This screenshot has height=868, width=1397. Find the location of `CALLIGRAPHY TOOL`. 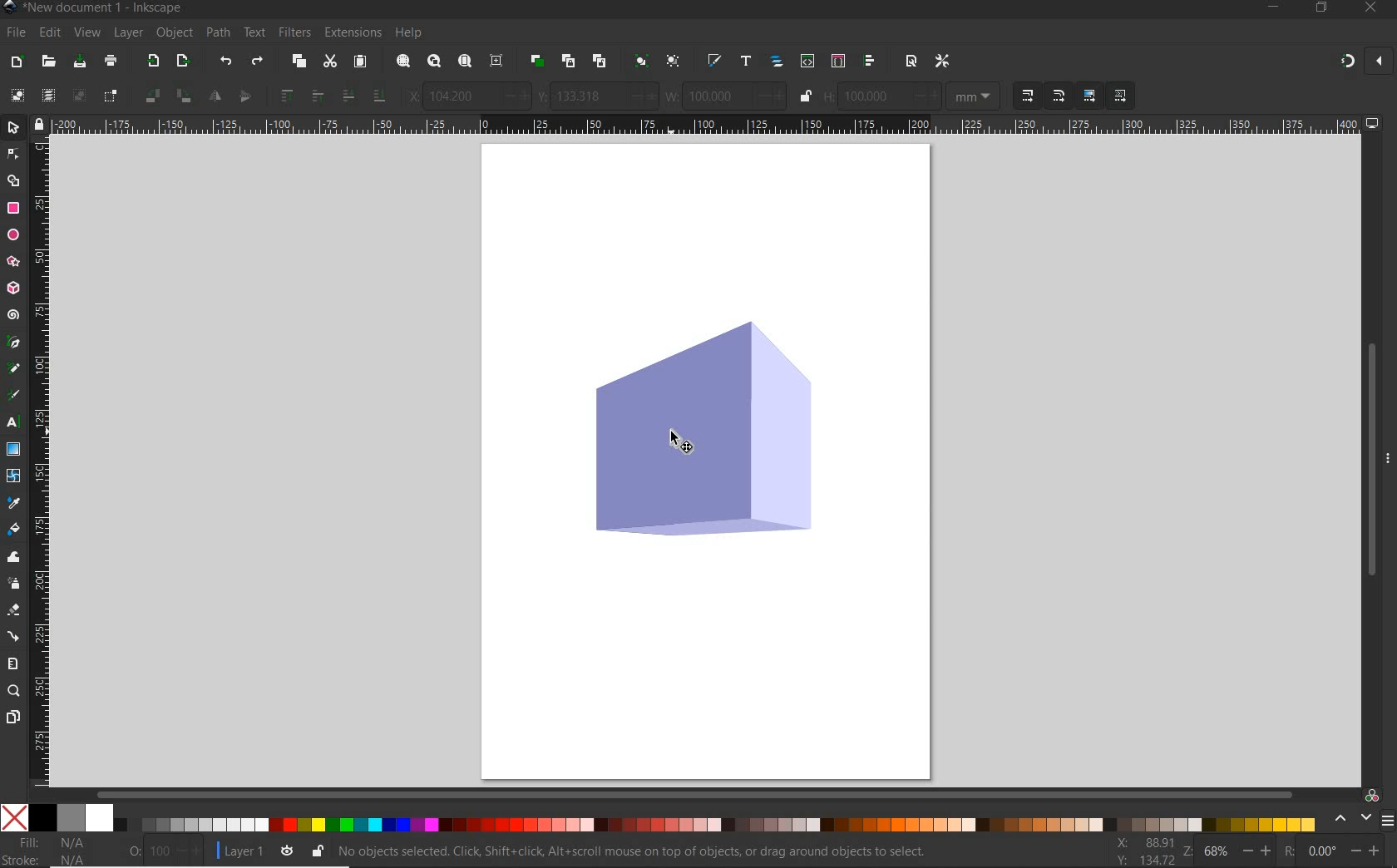

CALLIGRAPHY TOOL is located at coordinates (13, 396).